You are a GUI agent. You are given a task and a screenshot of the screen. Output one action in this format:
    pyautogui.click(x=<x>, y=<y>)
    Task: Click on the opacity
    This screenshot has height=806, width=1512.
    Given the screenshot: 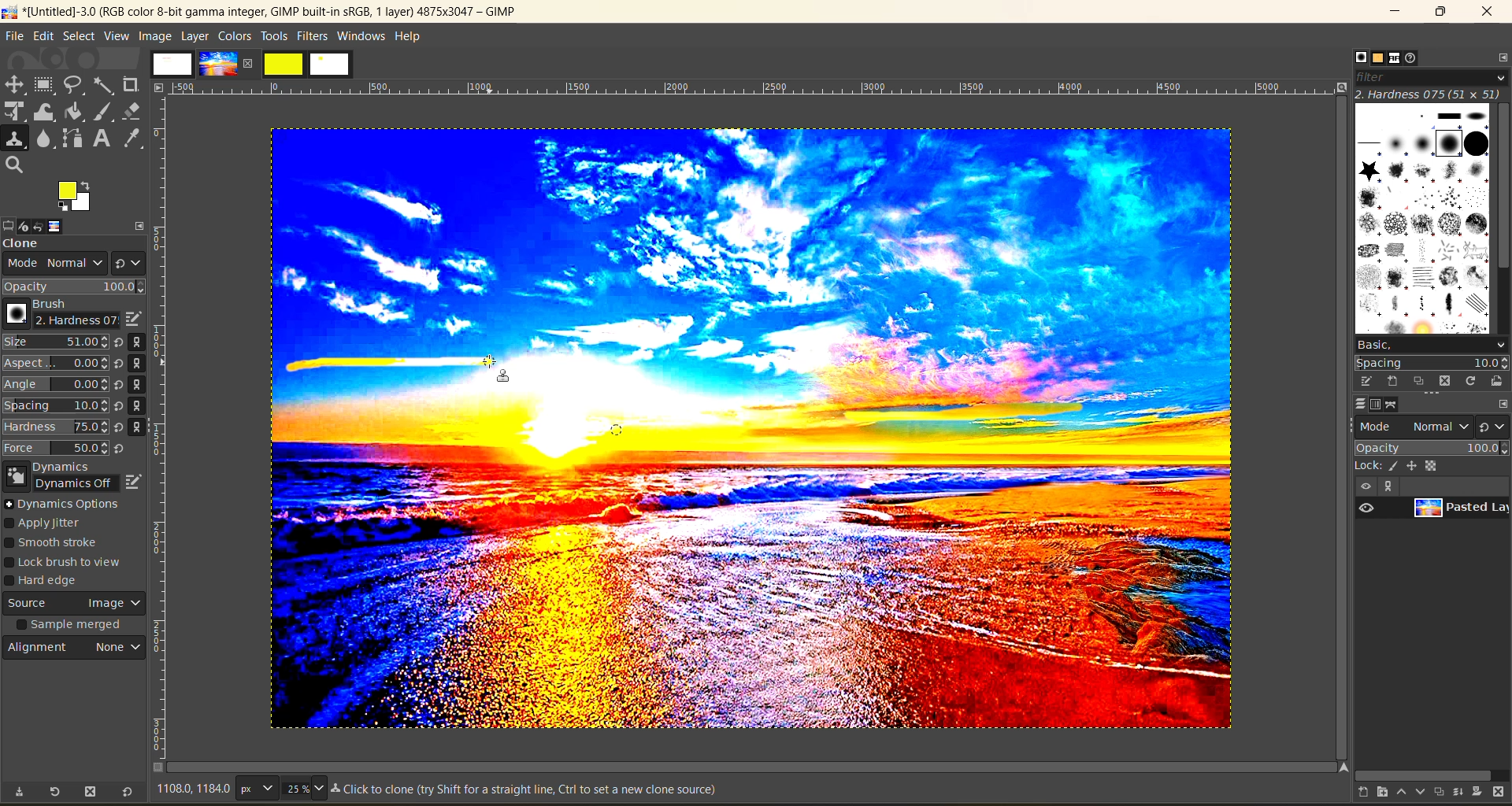 What is the action you would take?
    pyautogui.click(x=75, y=287)
    